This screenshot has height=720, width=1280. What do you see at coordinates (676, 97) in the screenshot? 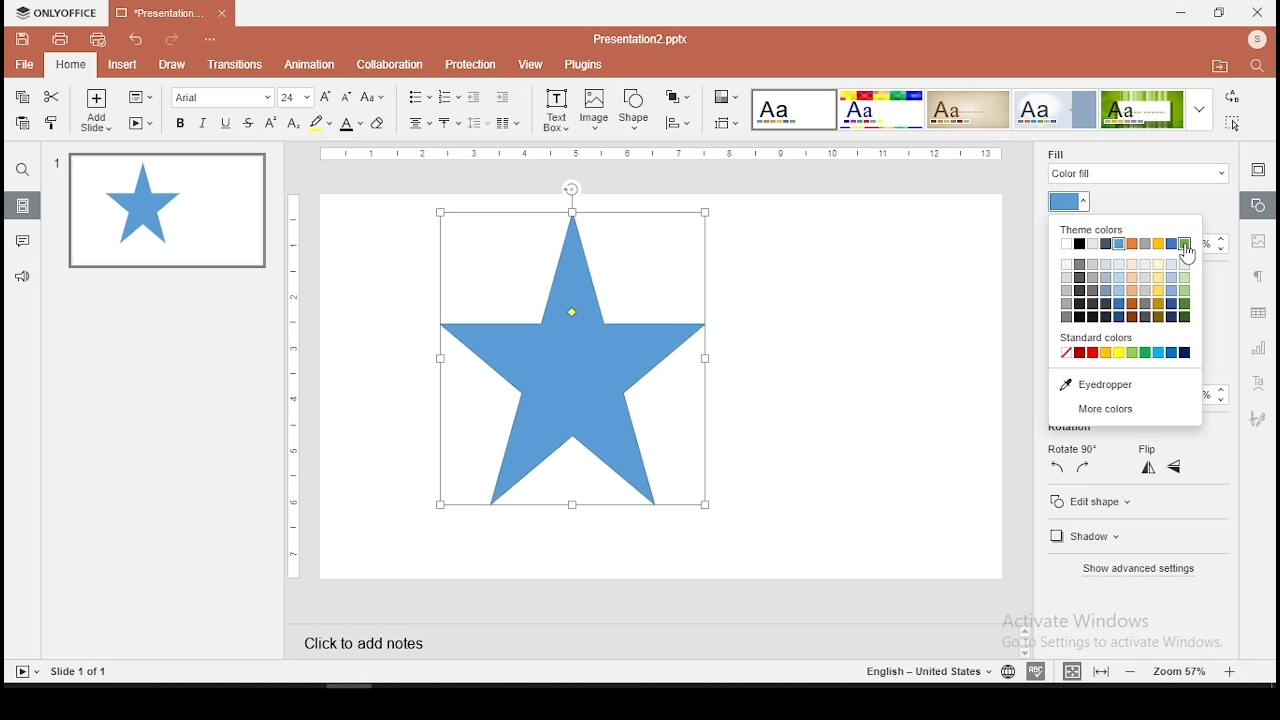
I see `arrange shapes` at bounding box center [676, 97].